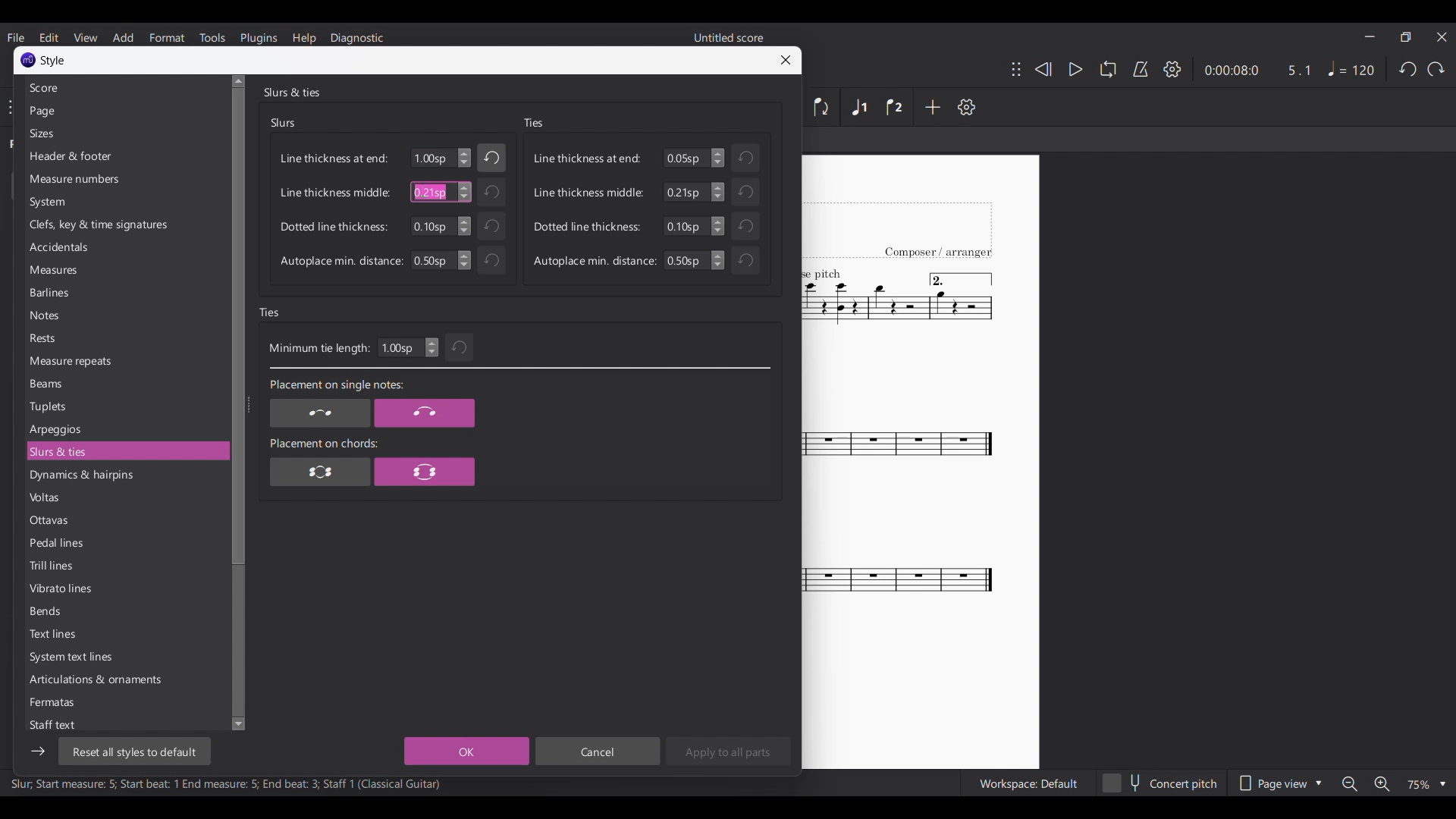 The image size is (1456, 819). Describe the element at coordinates (335, 386) in the screenshot. I see `Placement on single note` at that location.